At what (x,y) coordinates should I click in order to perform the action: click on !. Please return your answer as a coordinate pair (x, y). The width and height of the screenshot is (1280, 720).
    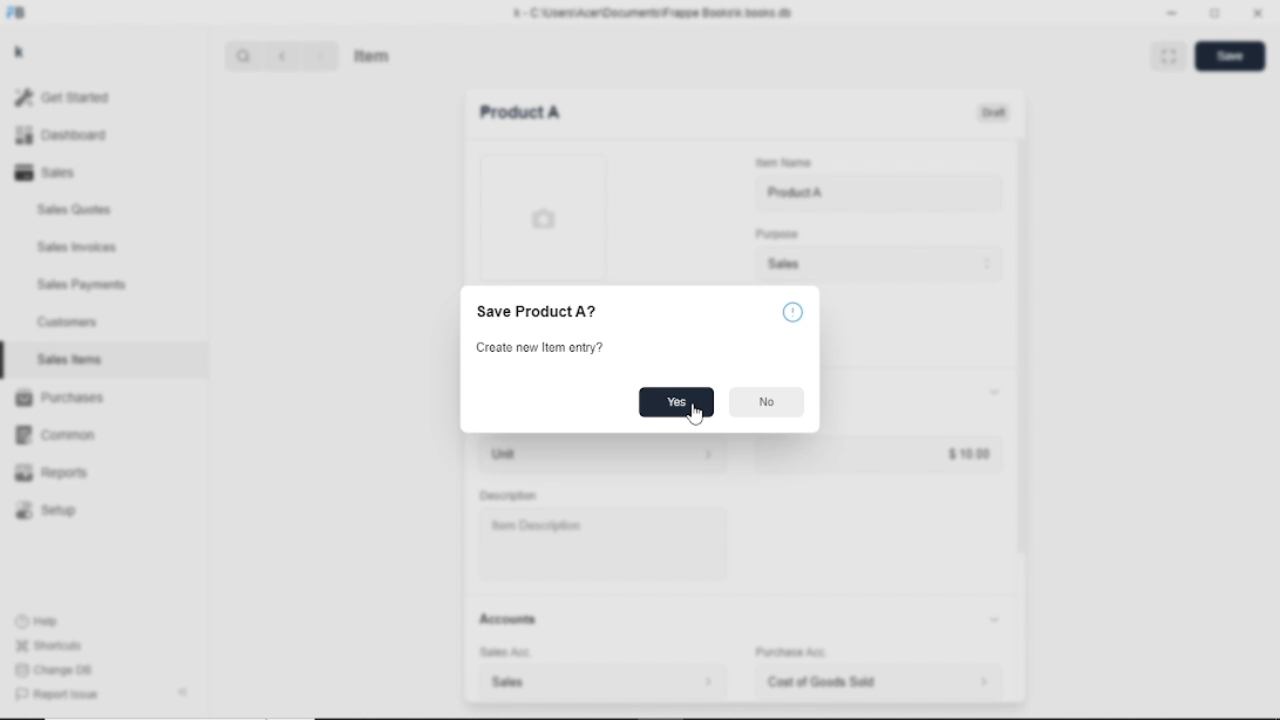
    Looking at the image, I should click on (794, 312).